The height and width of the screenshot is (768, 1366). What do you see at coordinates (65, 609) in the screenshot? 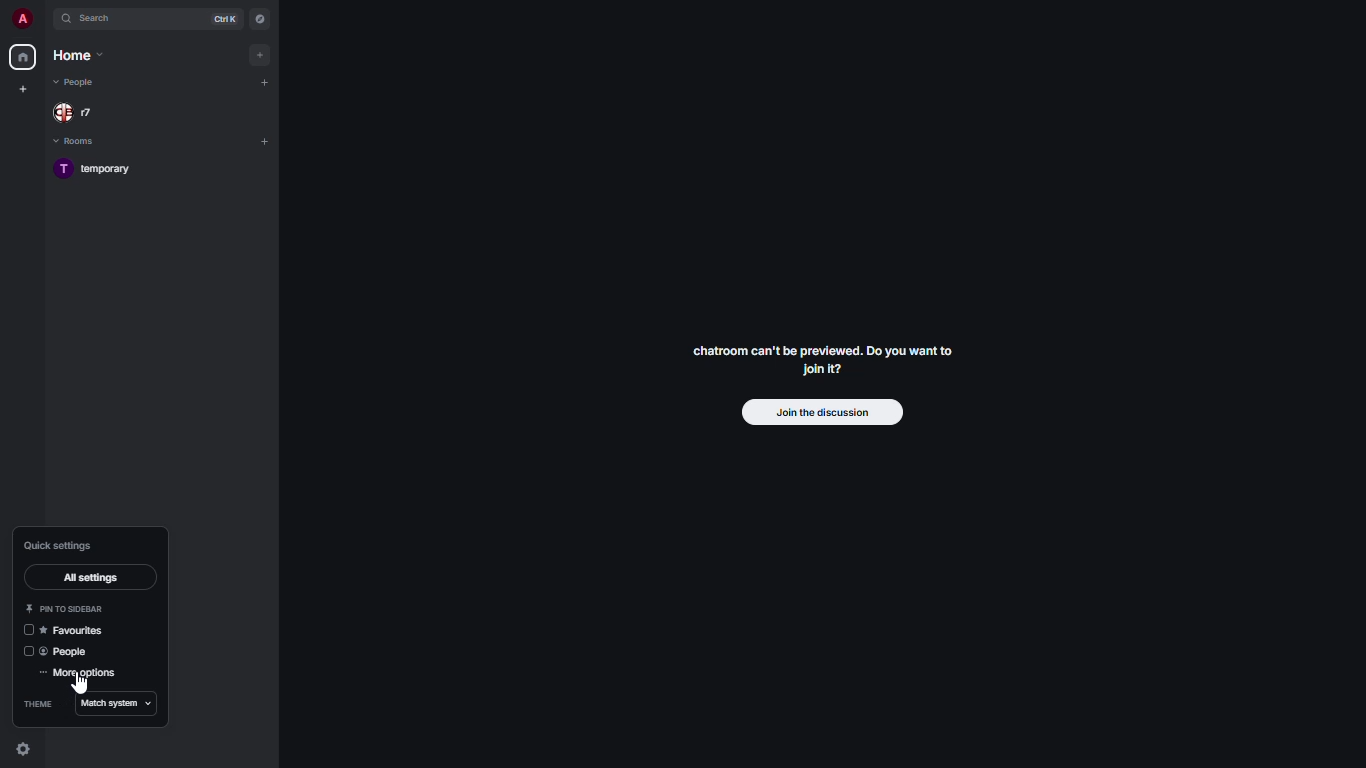
I see `pin to sidebar` at bounding box center [65, 609].